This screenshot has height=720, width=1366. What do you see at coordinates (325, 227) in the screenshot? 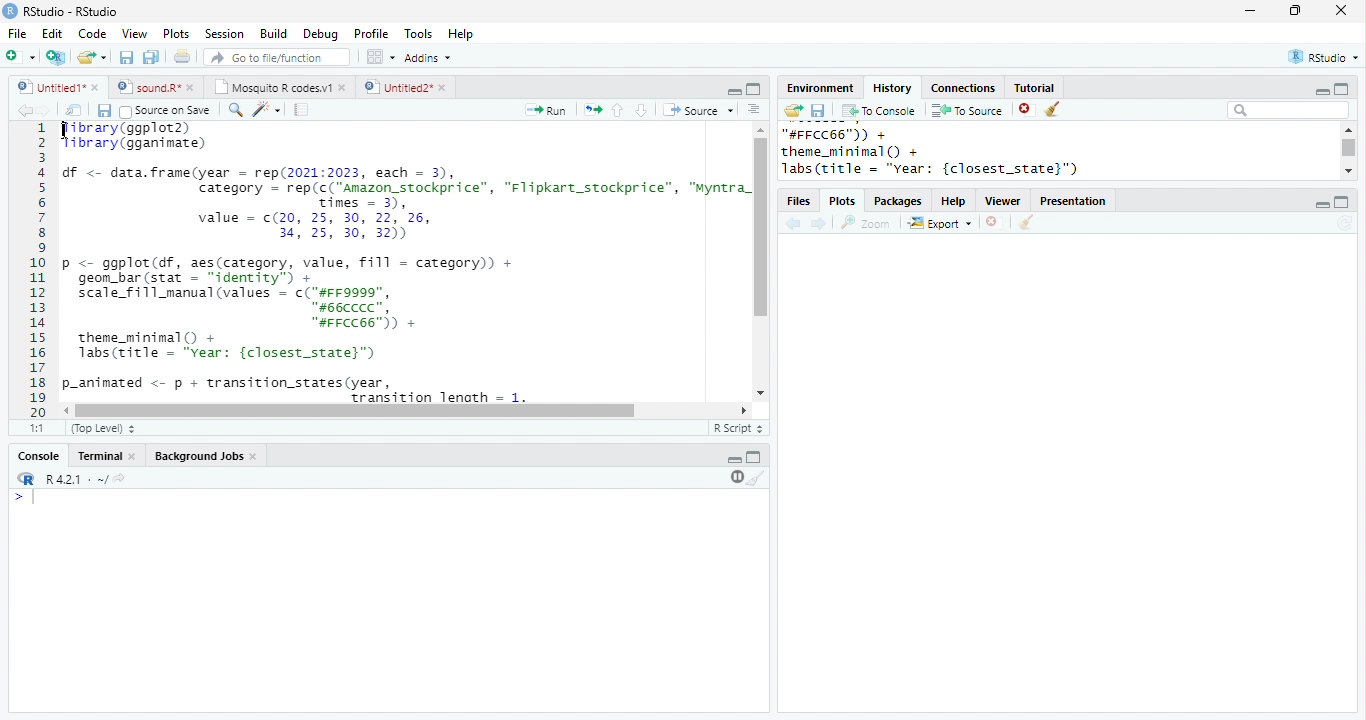
I see `value = c(20, 25, 30, 22, 26,
34, 25, 30, 32)` at bounding box center [325, 227].